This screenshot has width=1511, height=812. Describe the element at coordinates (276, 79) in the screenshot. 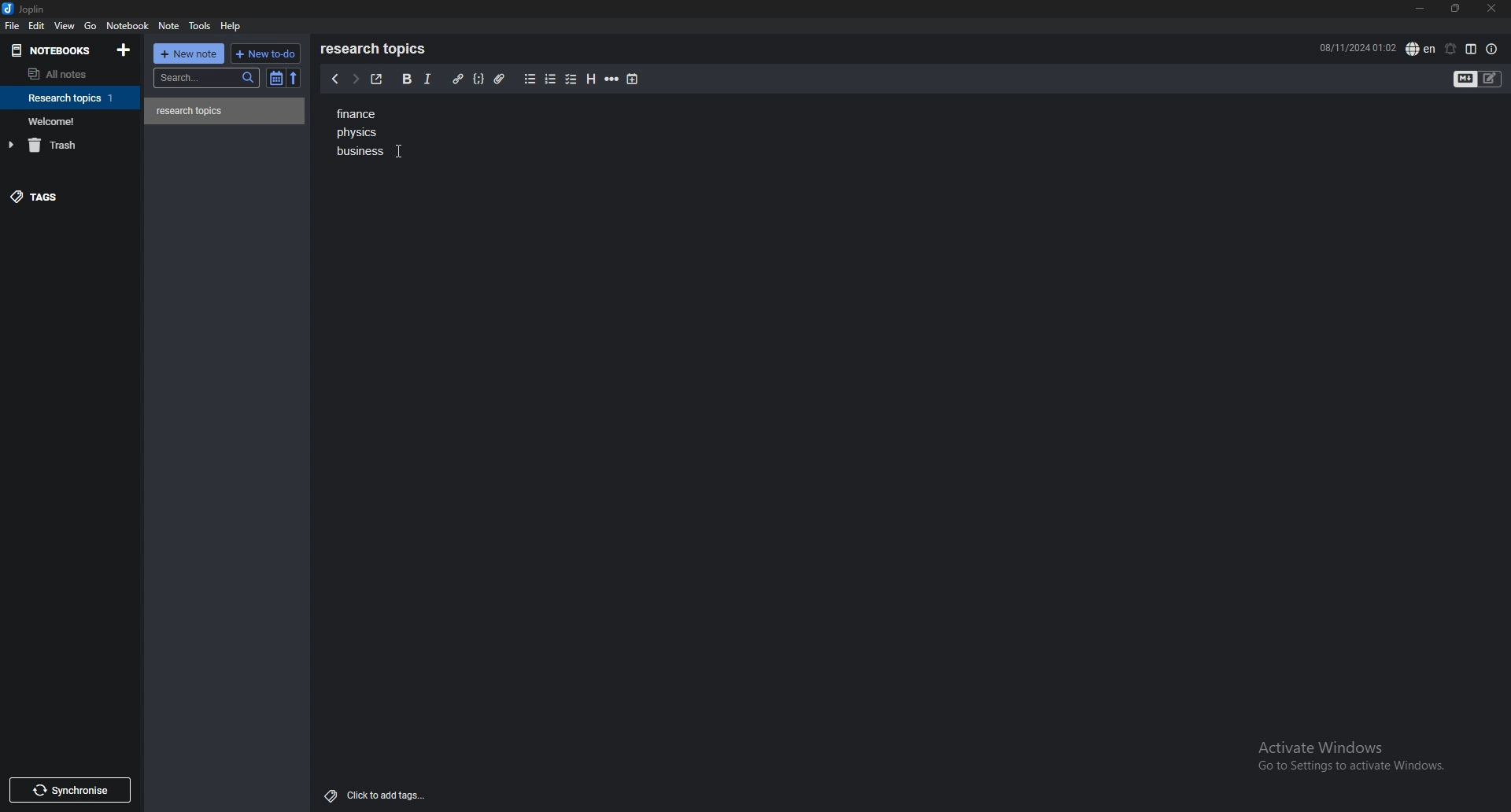

I see `toggle sort order` at that location.